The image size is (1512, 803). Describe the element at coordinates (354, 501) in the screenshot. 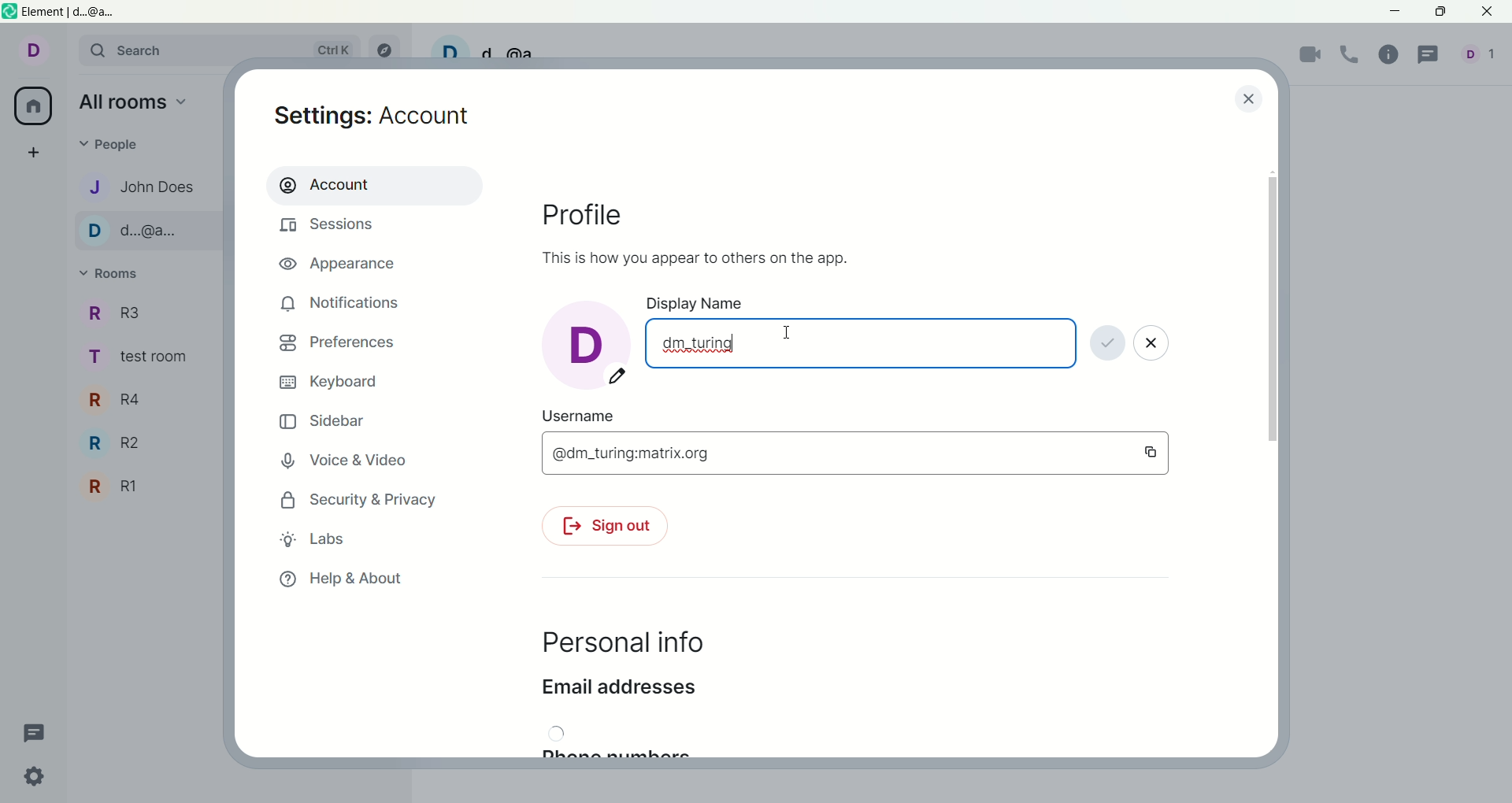

I see `security and privacy` at that location.